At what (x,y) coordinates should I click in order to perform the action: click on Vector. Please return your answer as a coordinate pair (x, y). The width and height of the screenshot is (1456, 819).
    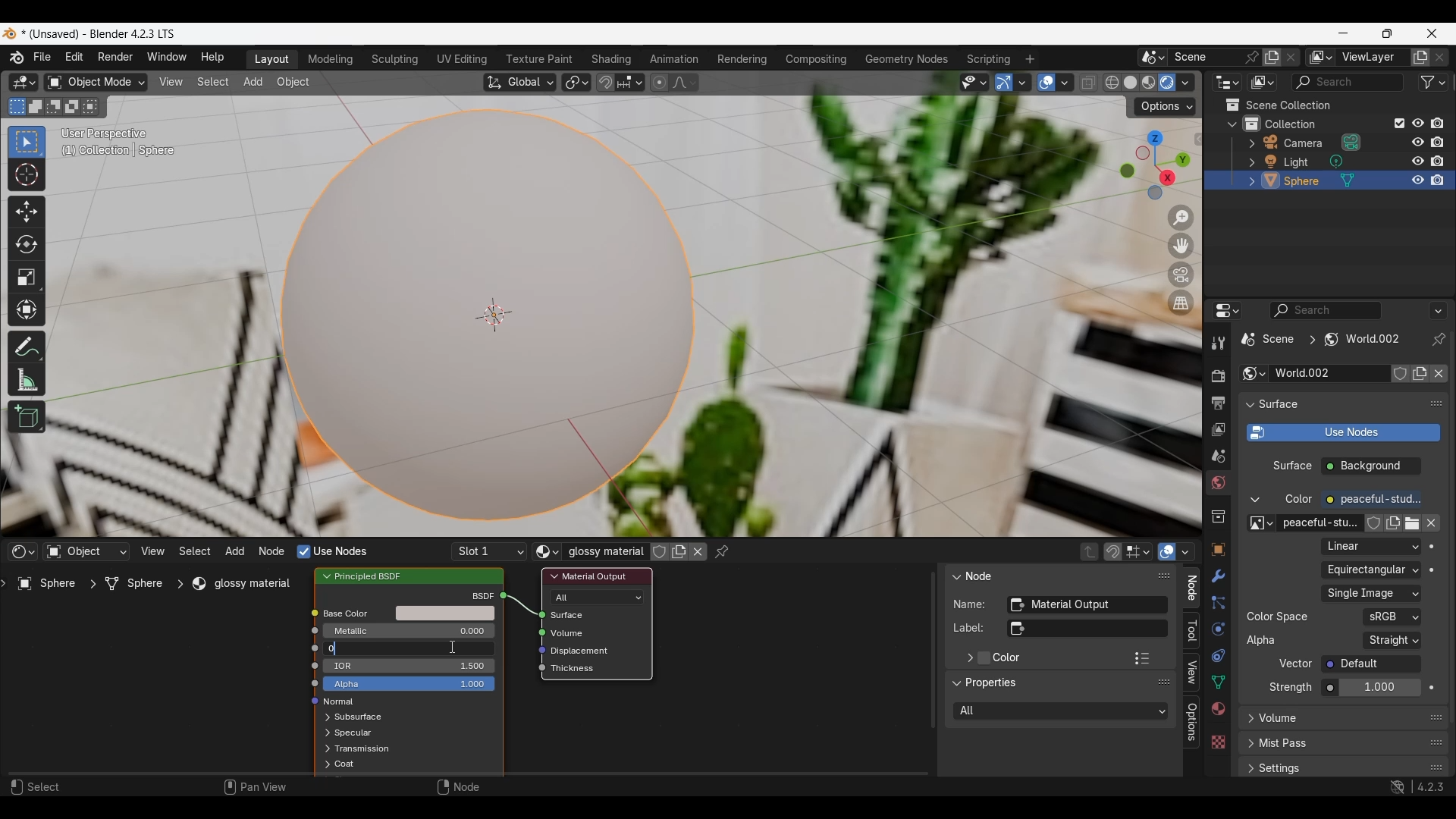
    Looking at the image, I should click on (1371, 664).